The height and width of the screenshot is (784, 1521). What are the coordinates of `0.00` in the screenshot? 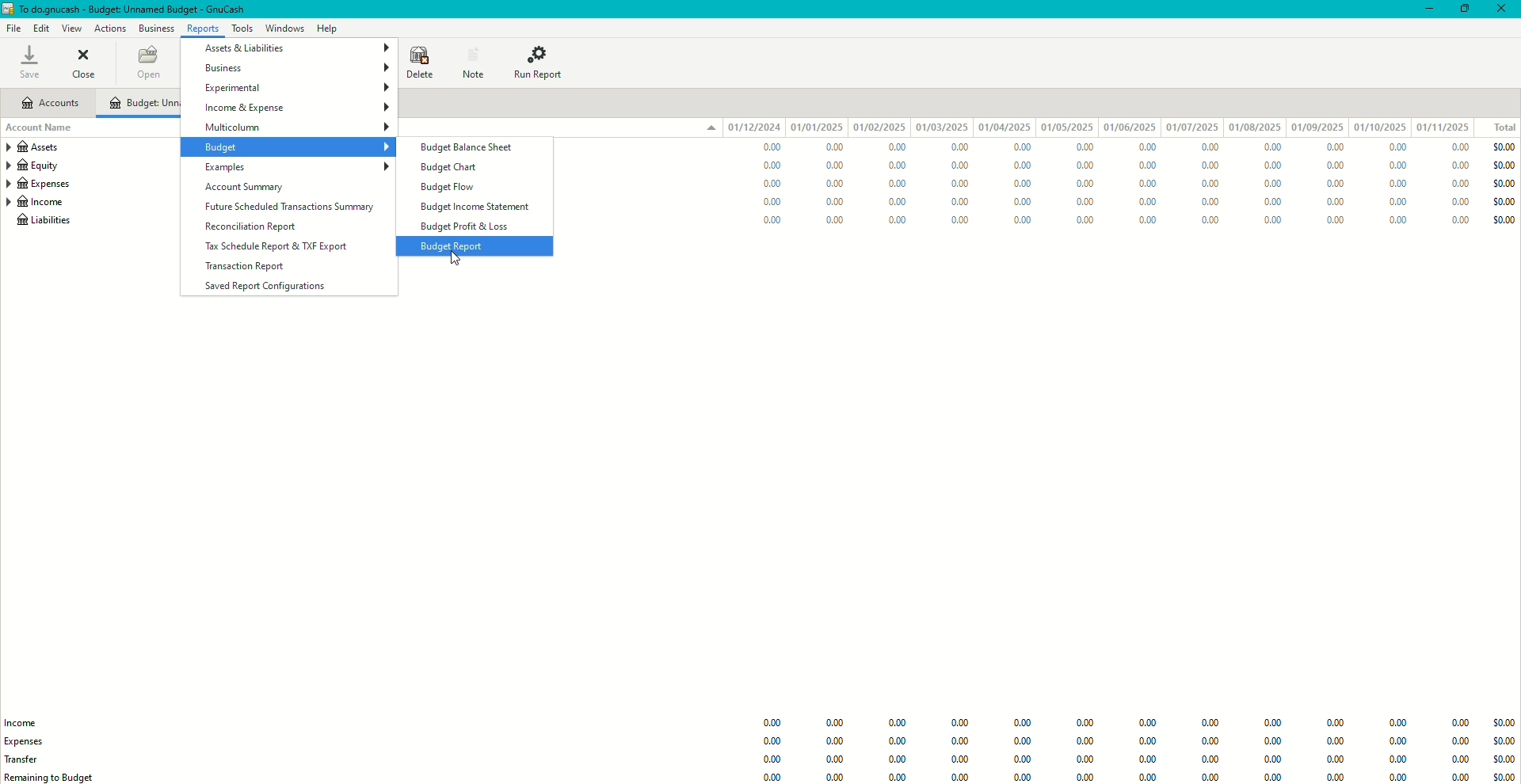 It's located at (1334, 777).